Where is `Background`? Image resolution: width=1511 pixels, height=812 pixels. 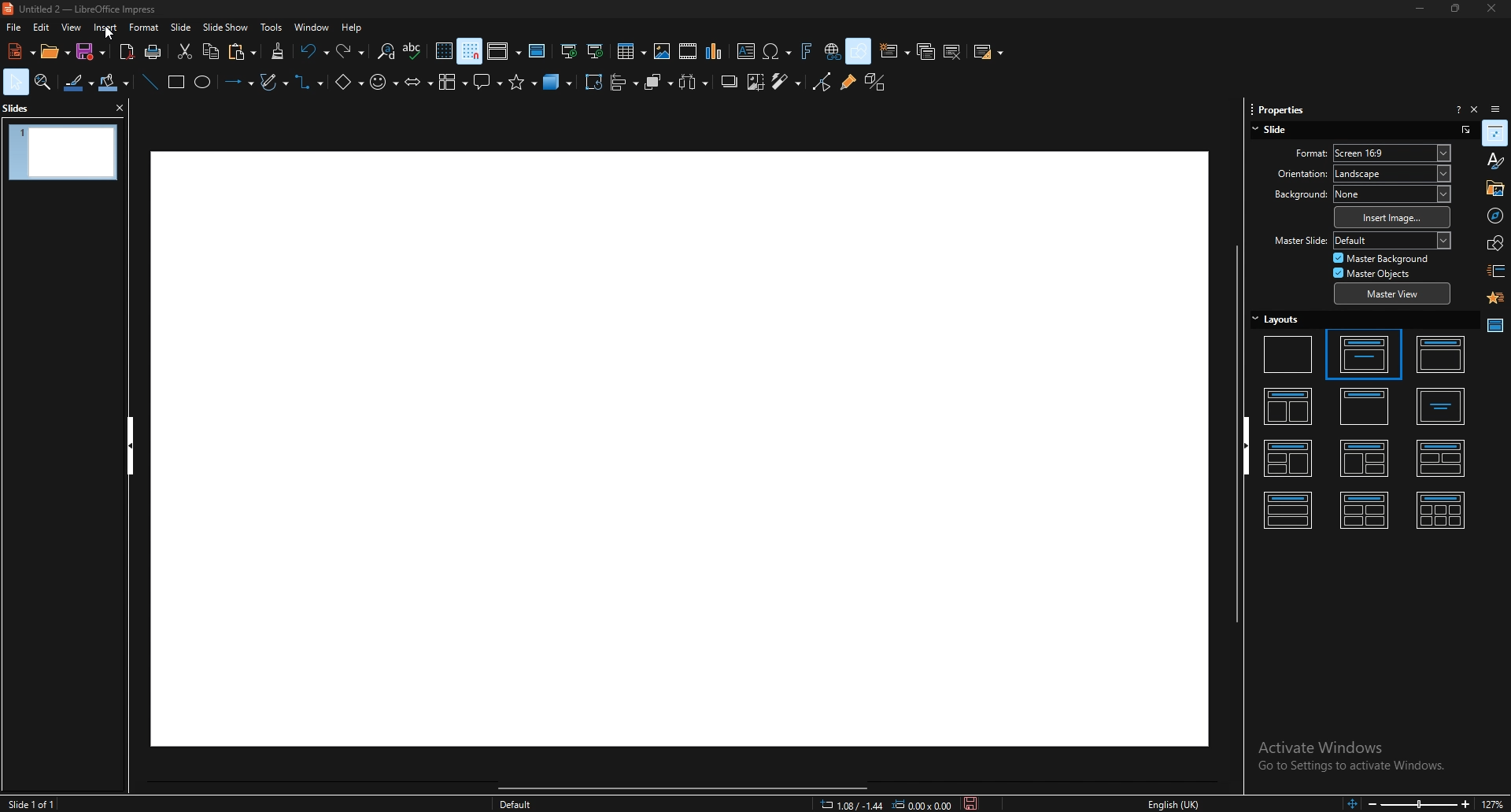 Background is located at coordinates (1293, 195).